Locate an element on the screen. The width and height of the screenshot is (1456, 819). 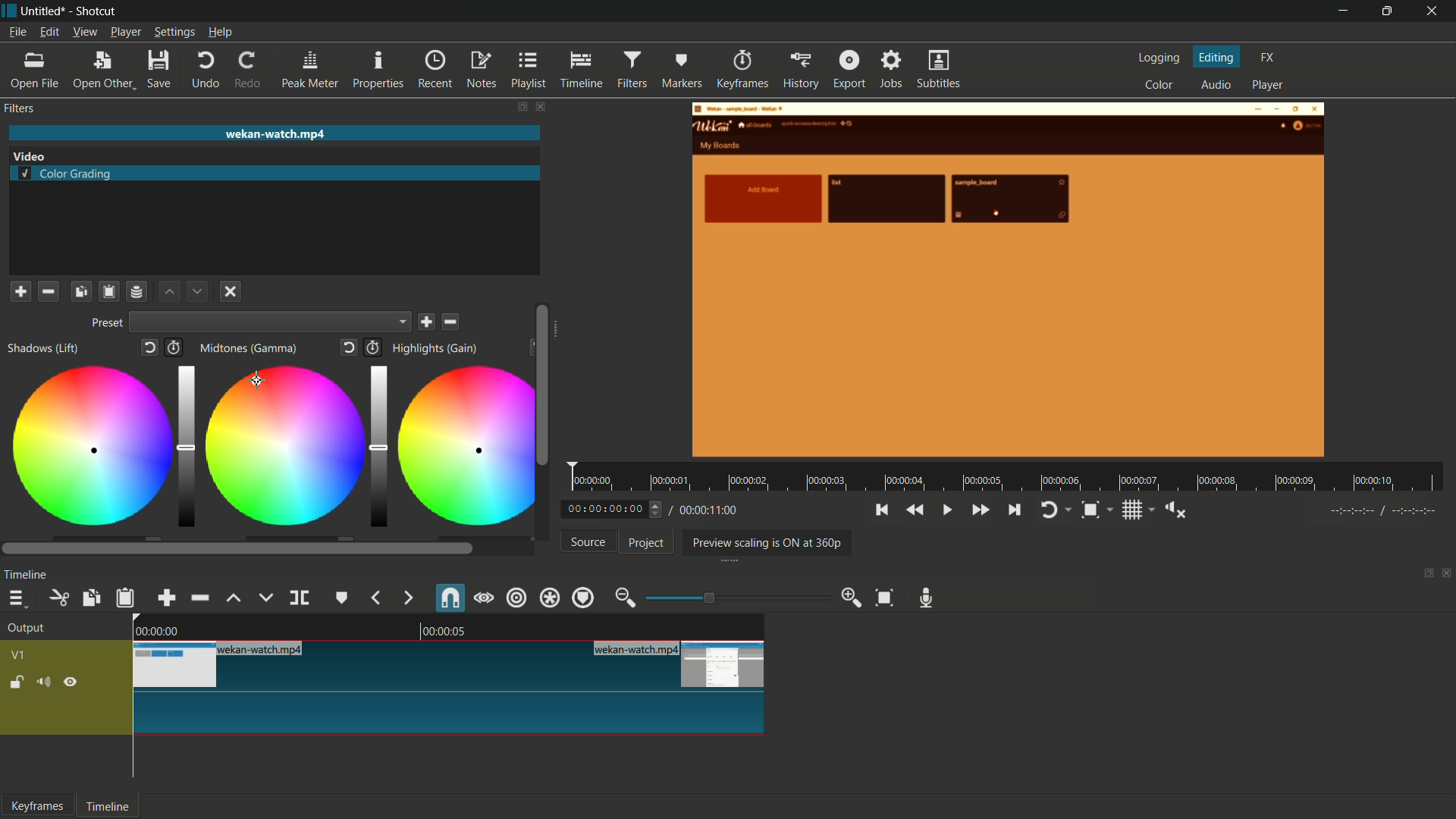
app icon is located at coordinates (9, 11).